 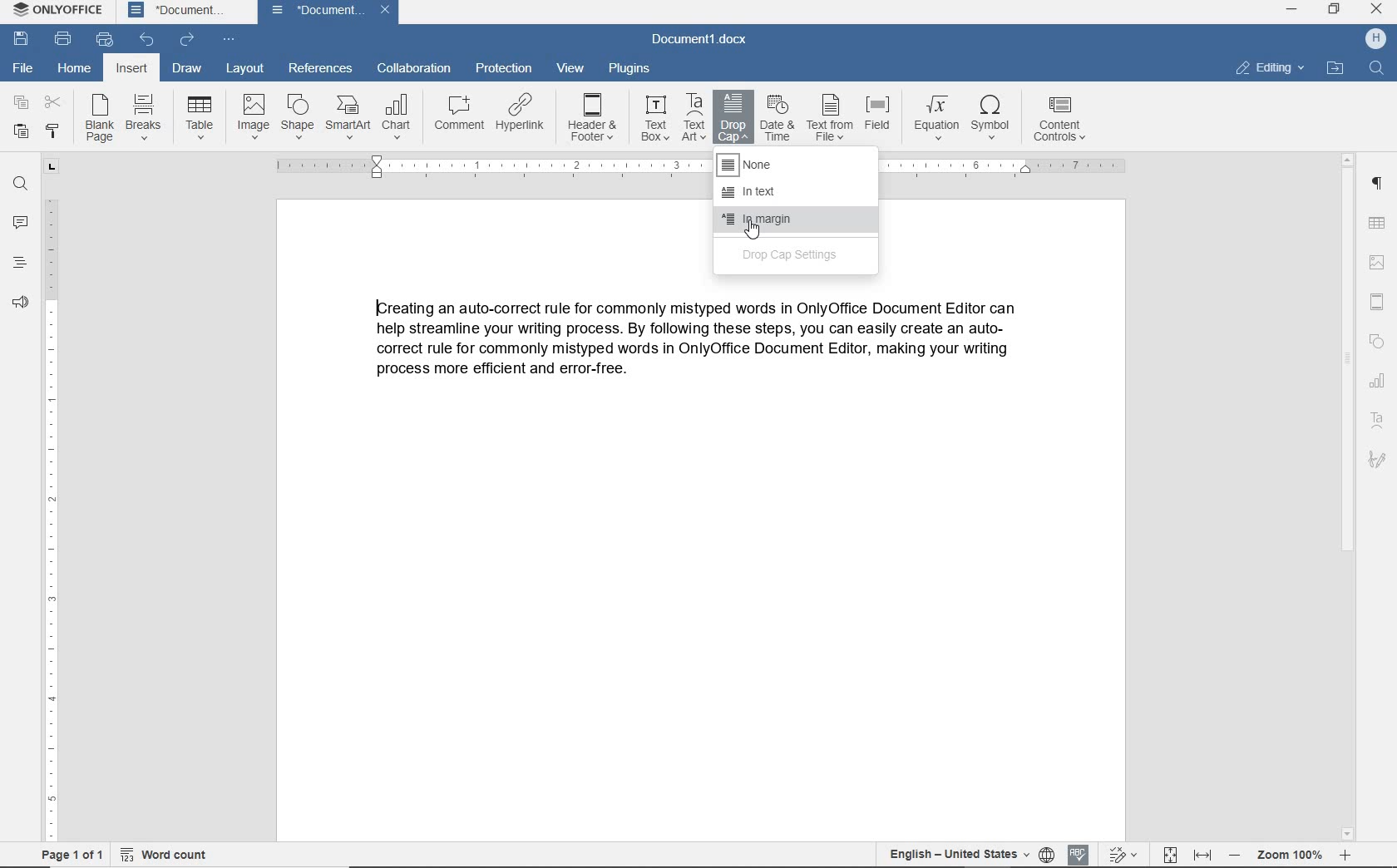 What do you see at coordinates (412, 72) in the screenshot?
I see `collaboration` at bounding box center [412, 72].